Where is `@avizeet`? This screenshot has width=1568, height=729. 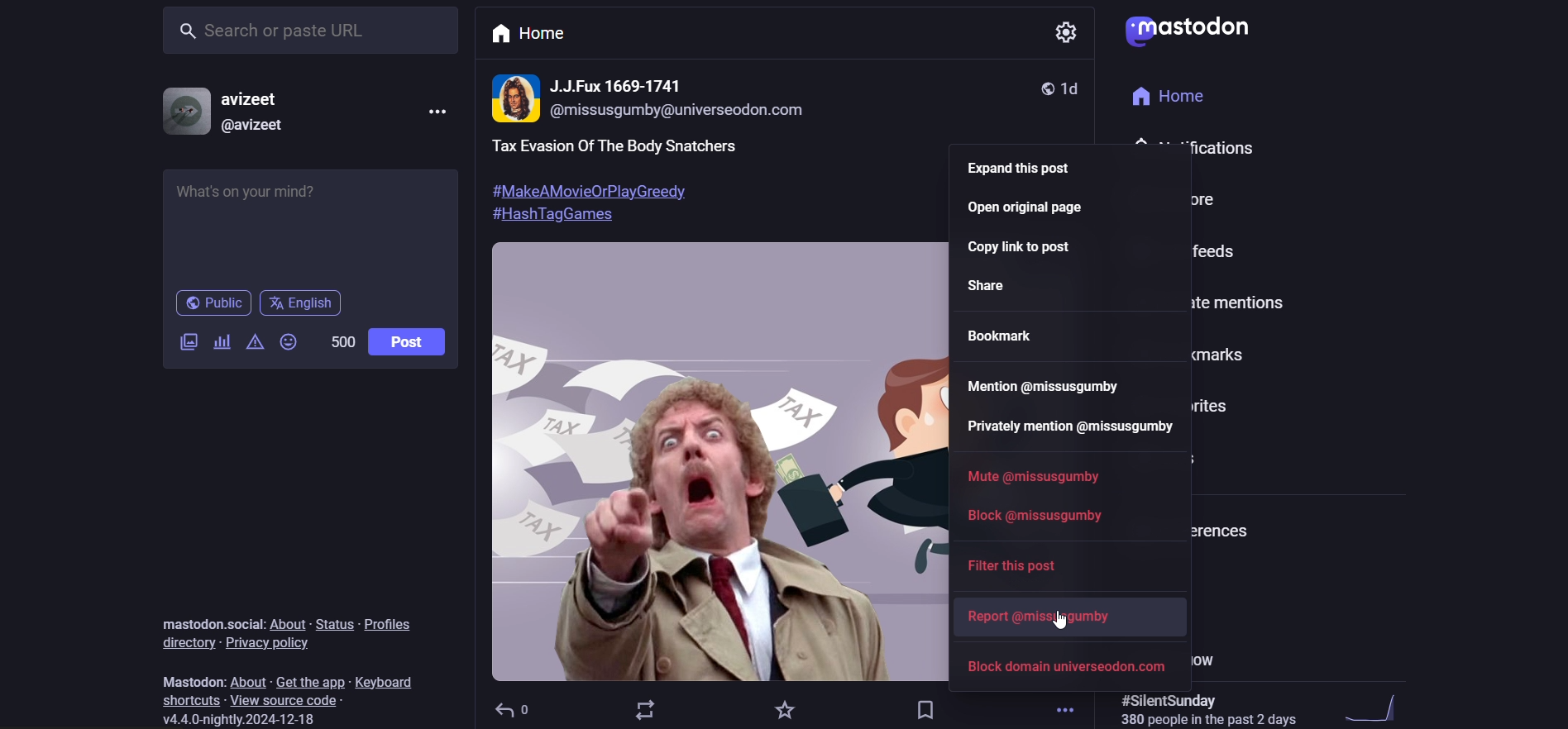
@avizeet is located at coordinates (258, 127).